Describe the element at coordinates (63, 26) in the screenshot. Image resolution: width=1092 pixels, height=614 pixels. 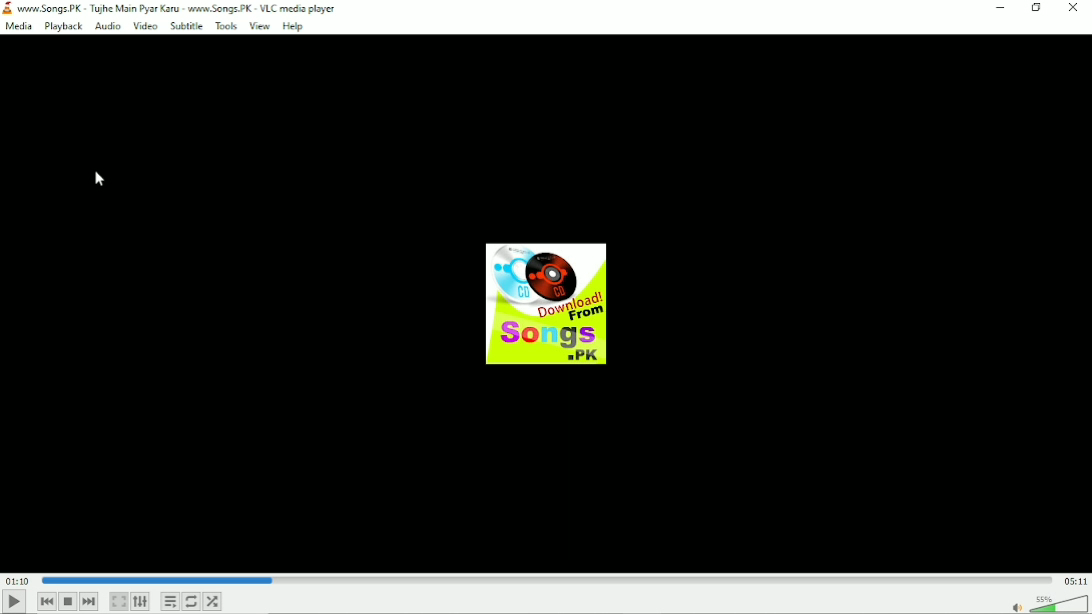
I see `Playback` at that location.